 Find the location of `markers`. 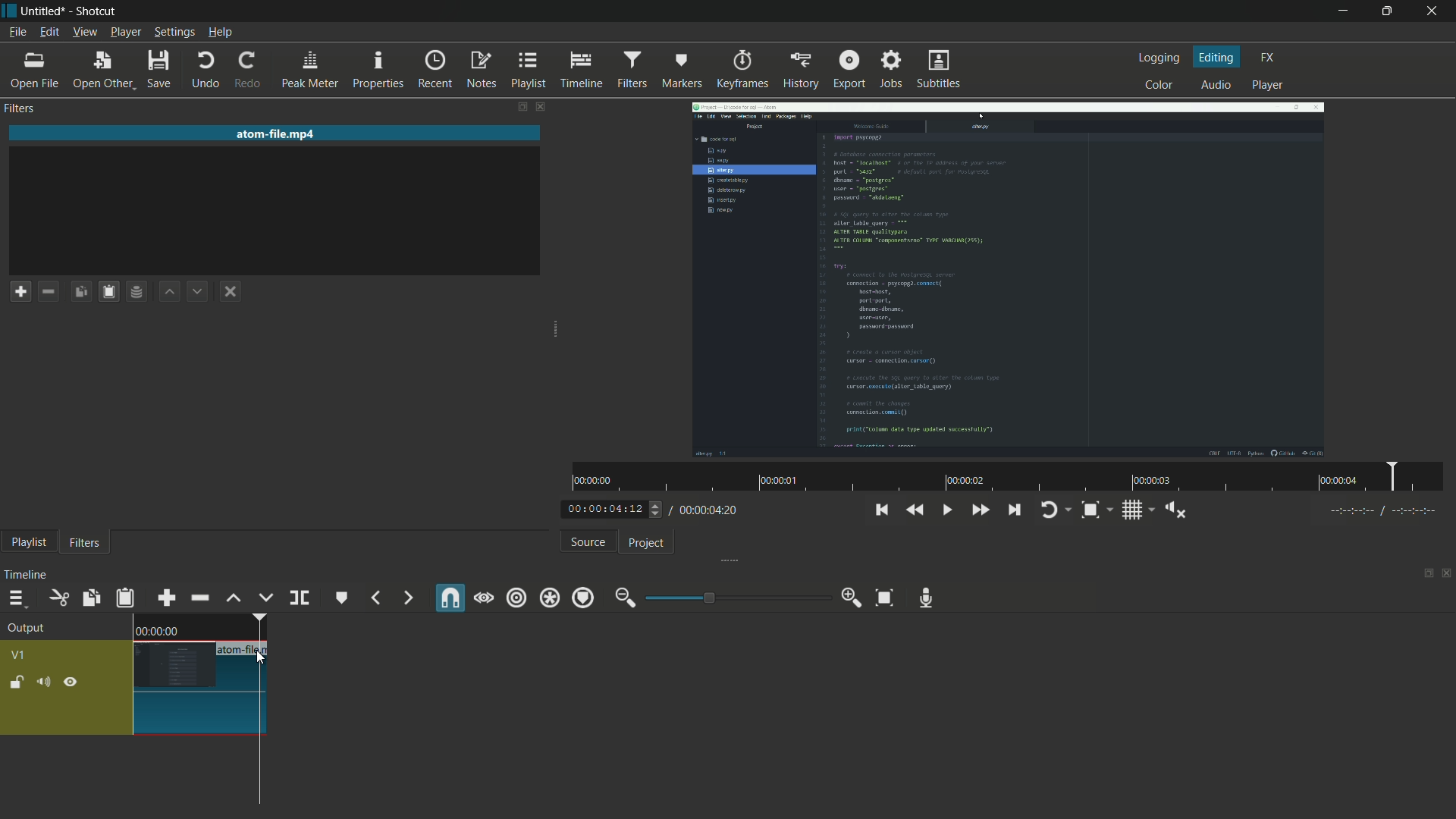

markers is located at coordinates (681, 70).